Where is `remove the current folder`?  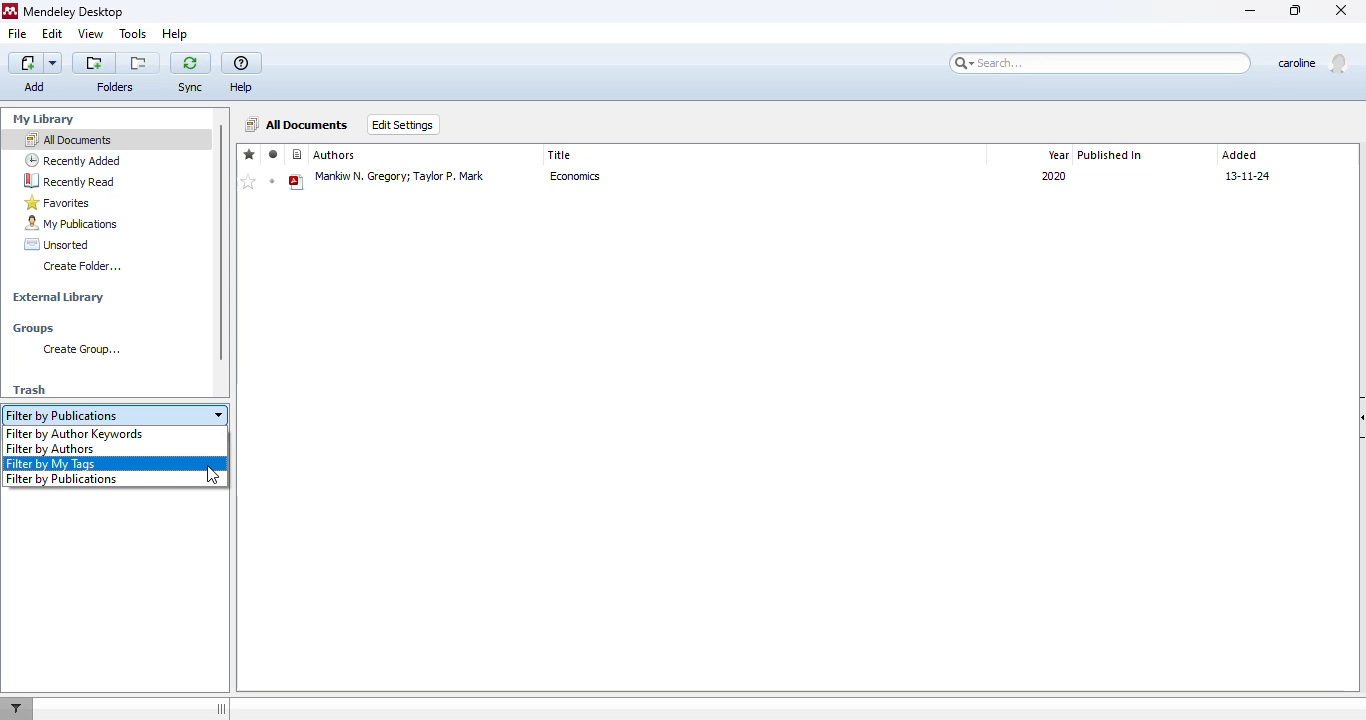 remove the current folder is located at coordinates (138, 63).